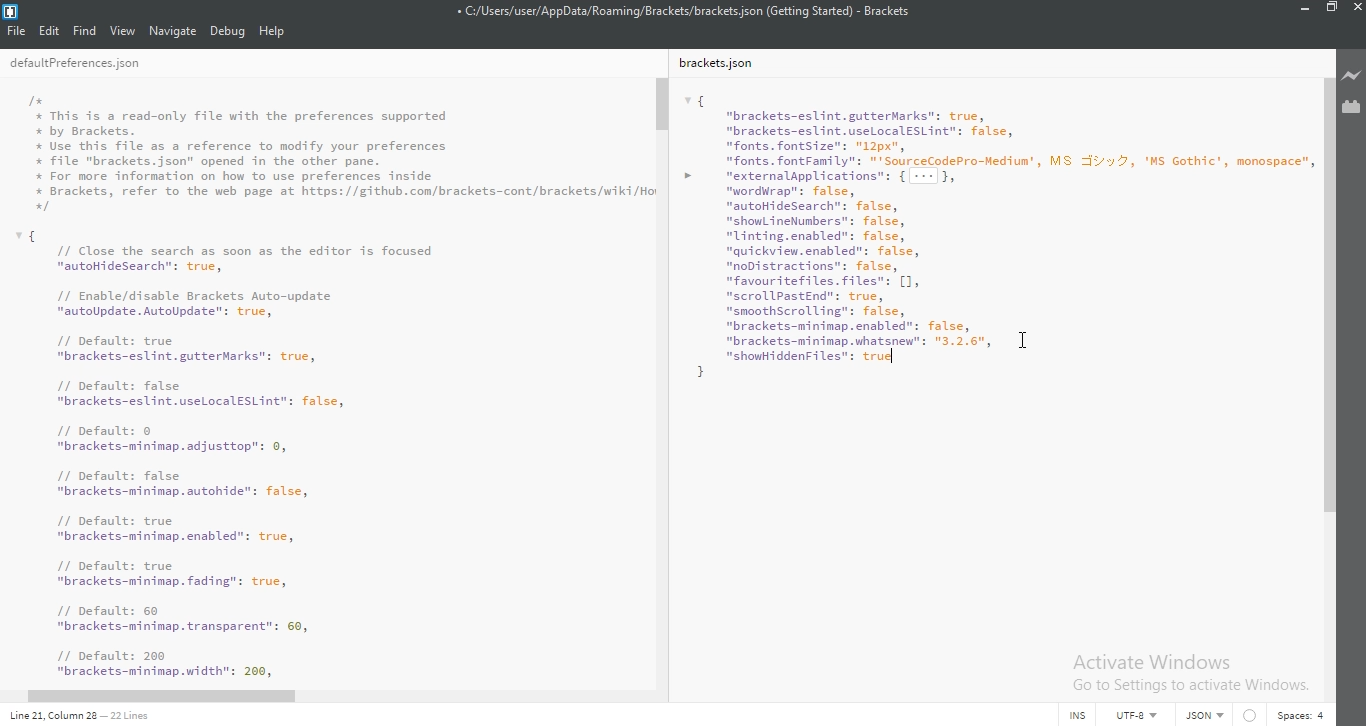  What do you see at coordinates (1077, 714) in the screenshot?
I see `INS` at bounding box center [1077, 714].